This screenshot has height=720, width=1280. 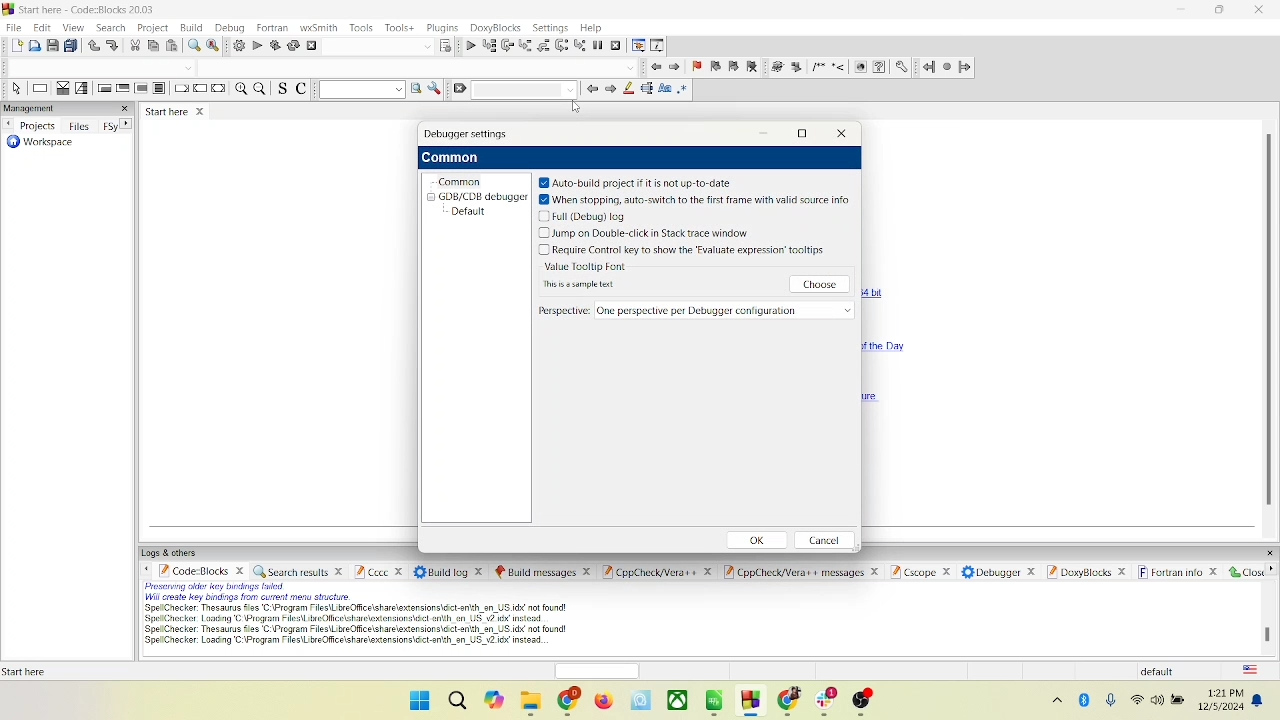 What do you see at coordinates (17, 44) in the screenshot?
I see `new` at bounding box center [17, 44].